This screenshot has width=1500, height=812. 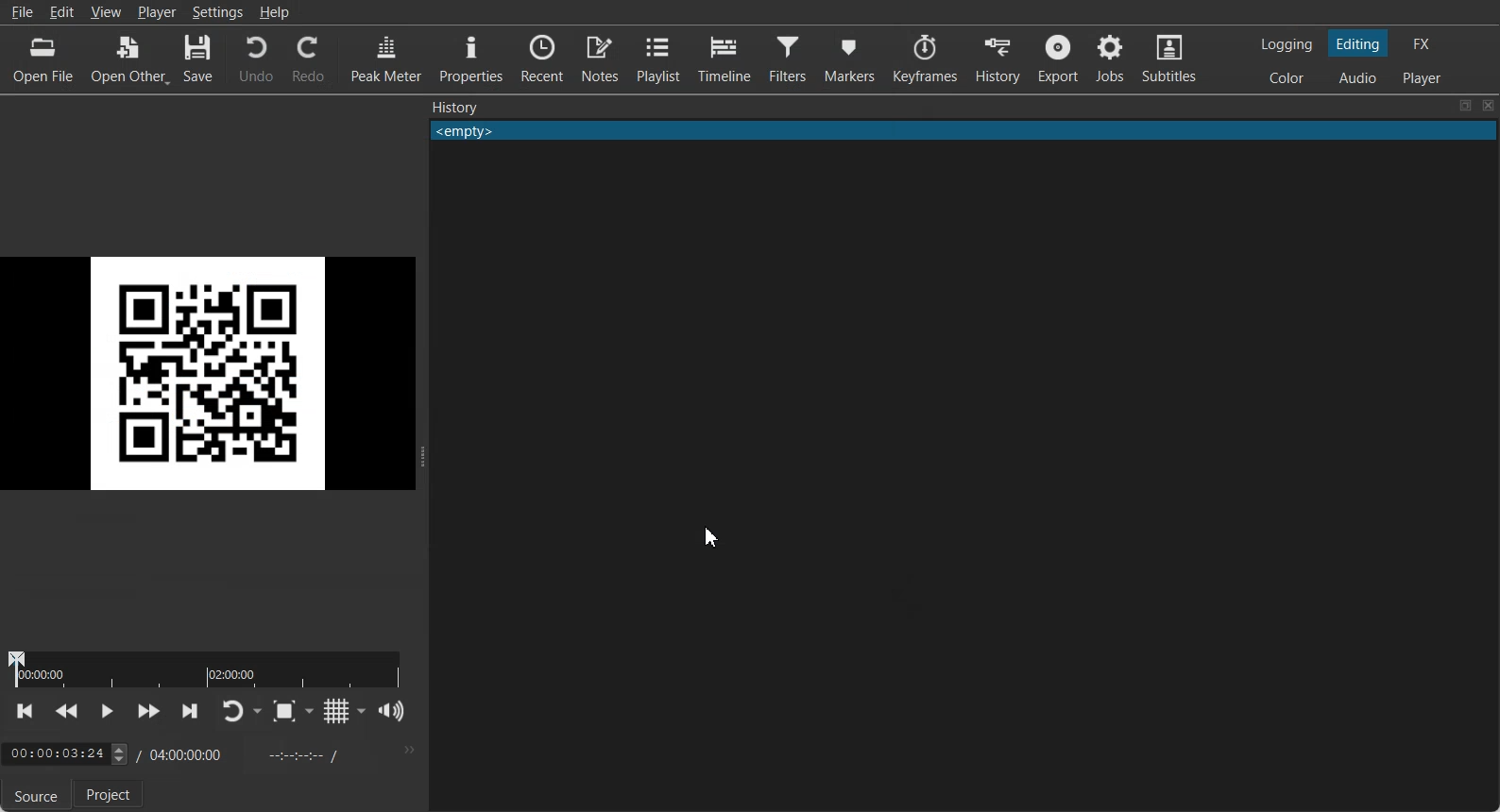 What do you see at coordinates (111, 795) in the screenshot?
I see `Project` at bounding box center [111, 795].